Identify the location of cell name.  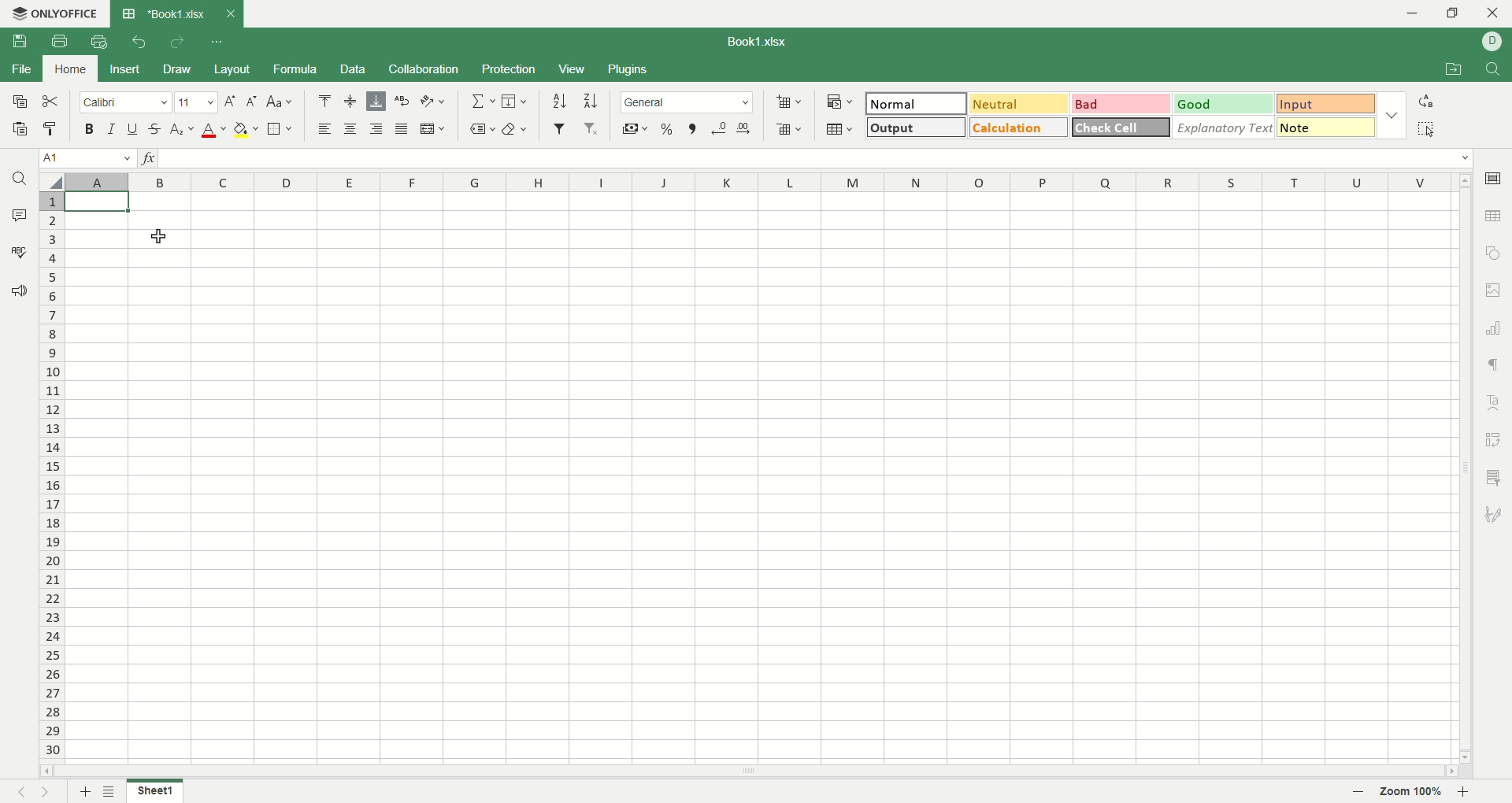
(88, 158).